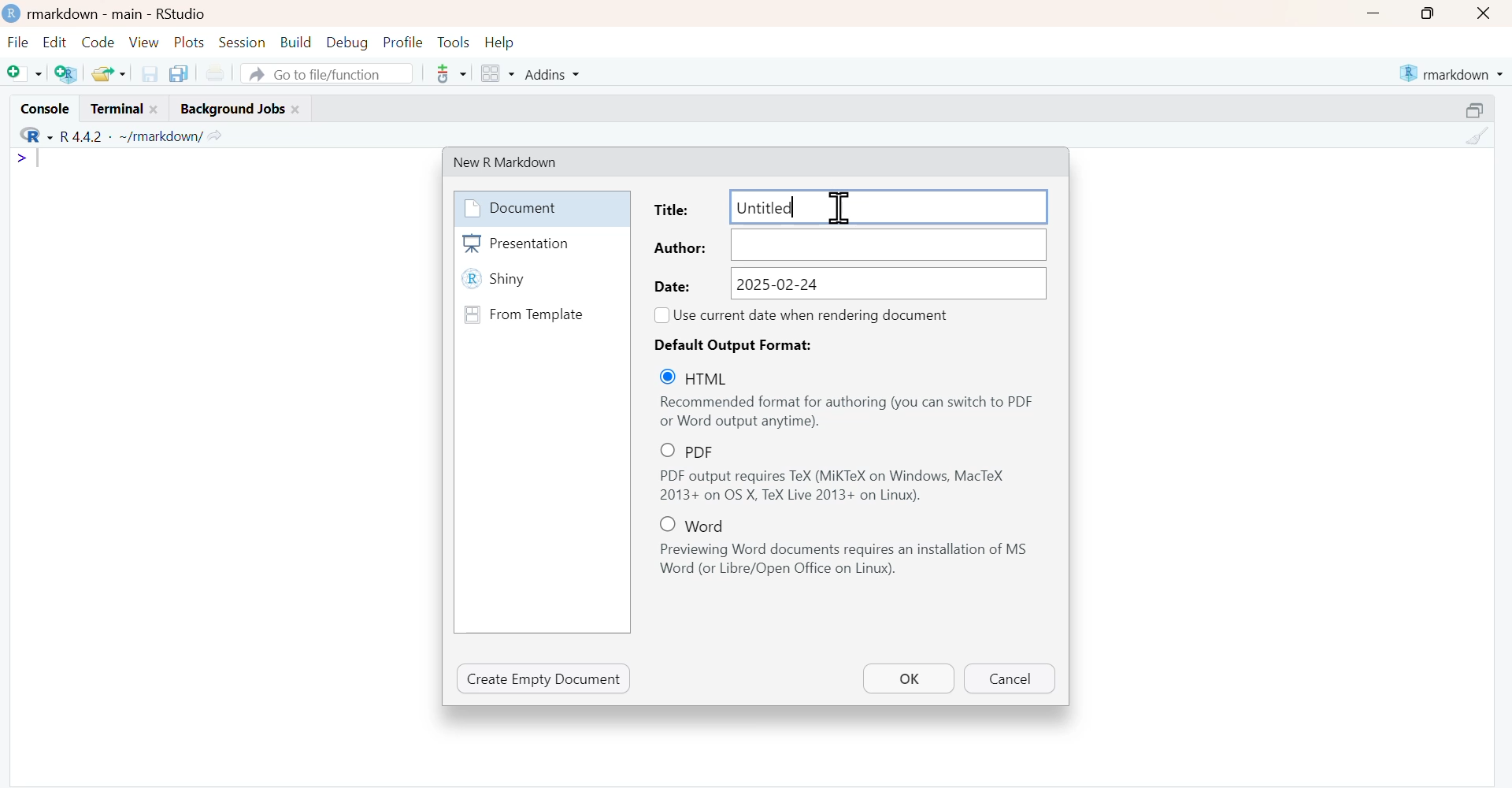 The height and width of the screenshot is (788, 1512). I want to click on selected language - R, so click(31, 136).